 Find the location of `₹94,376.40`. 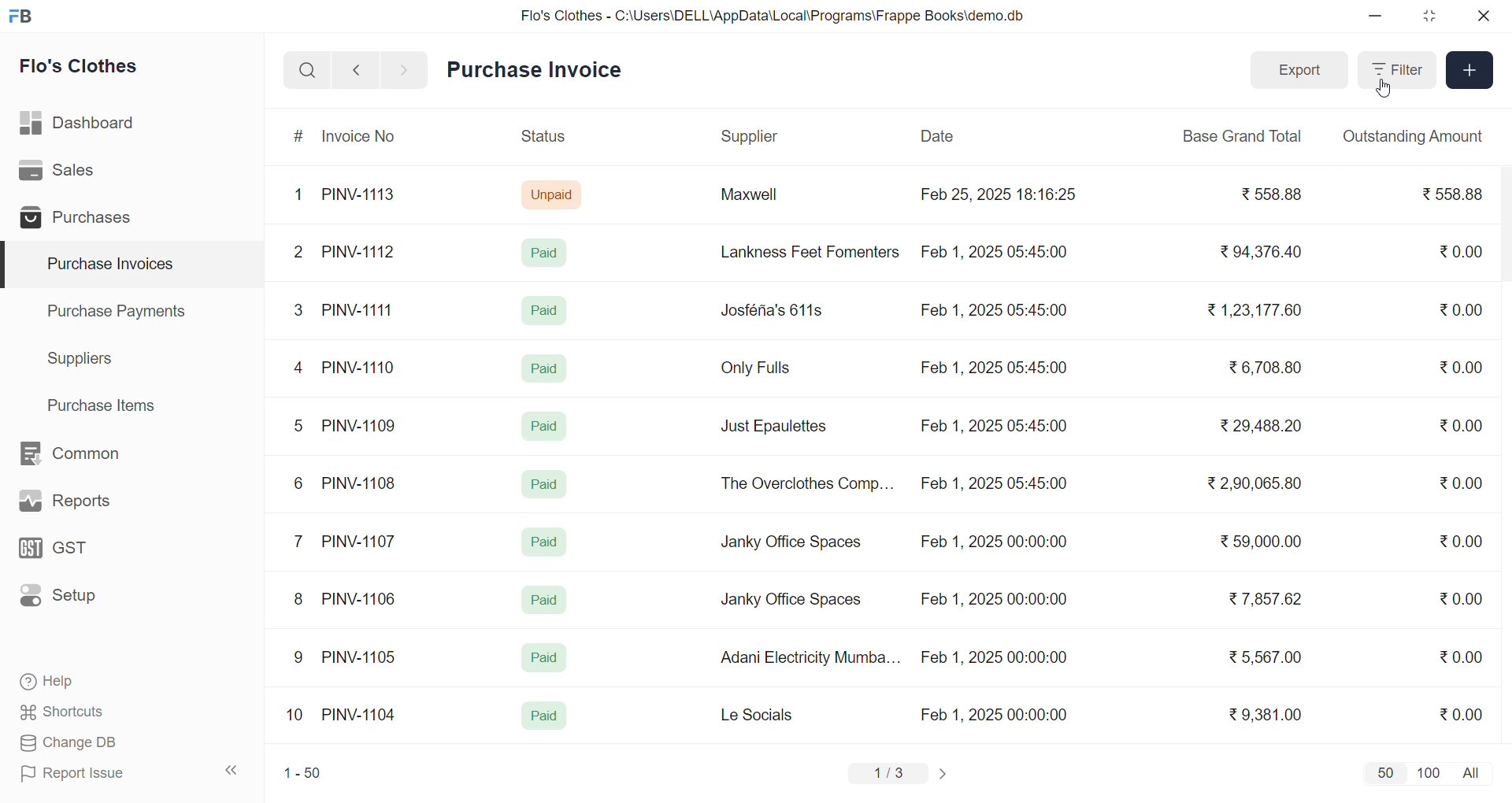

₹94,376.40 is located at coordinates (1257, 253).